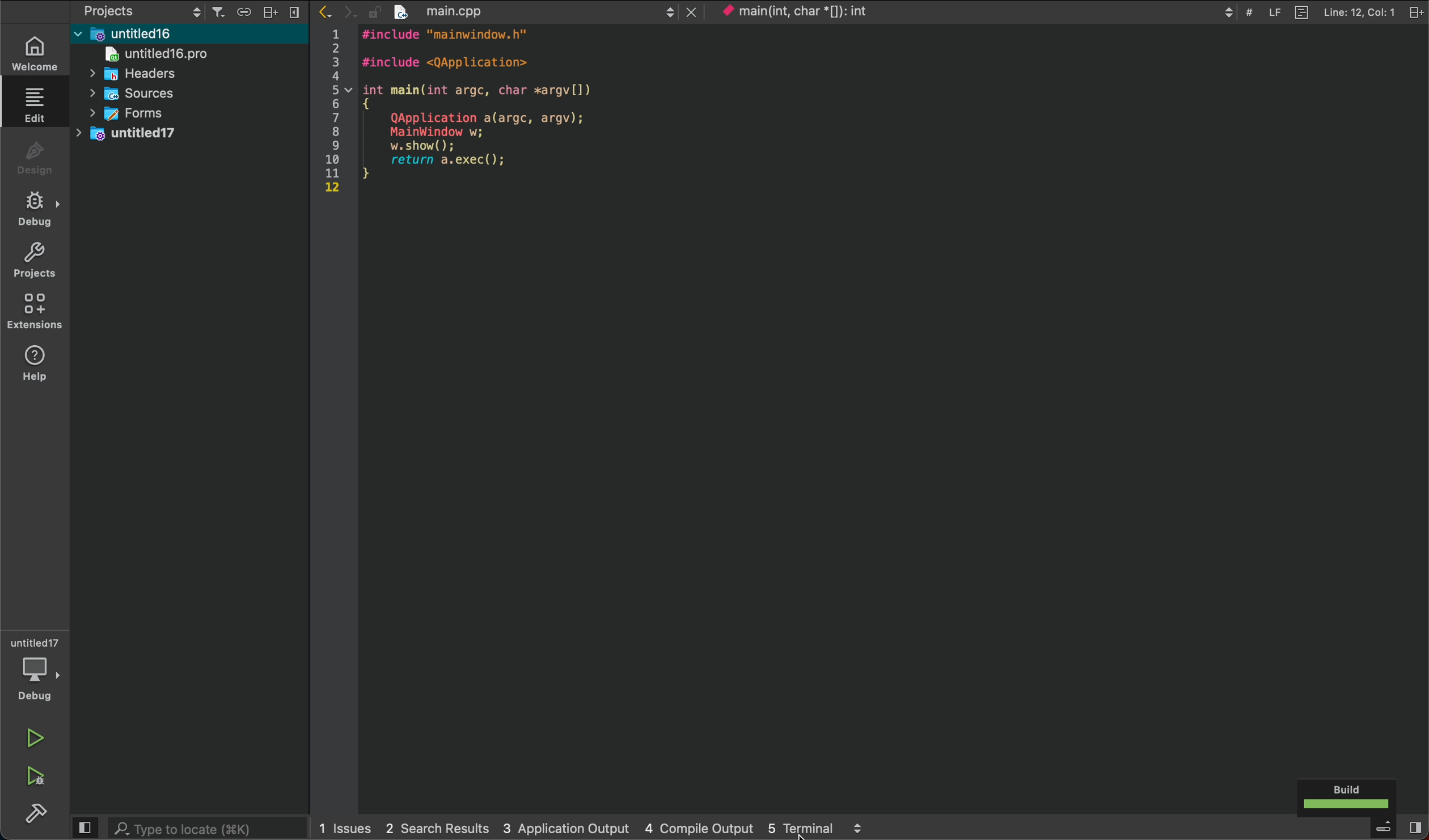 The height and width of the screenshot is (840, 1429). Describe the element at coordinates (173, 53) in the screenshot. I see `untitled 16 pro` at that location.